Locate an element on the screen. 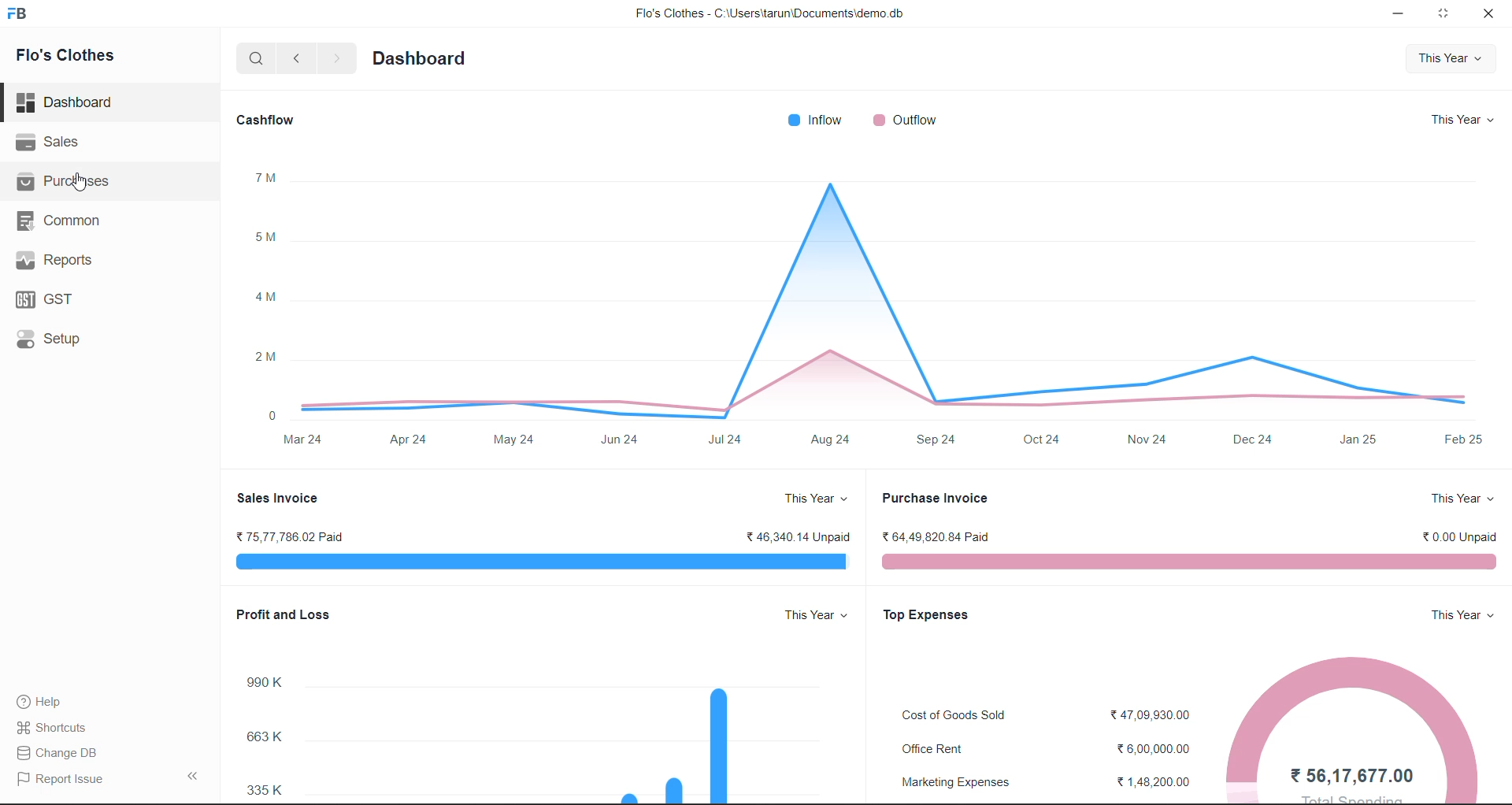 The height and width of the screenshot is (805, 1512). previous is located at coordinates (300, 57).